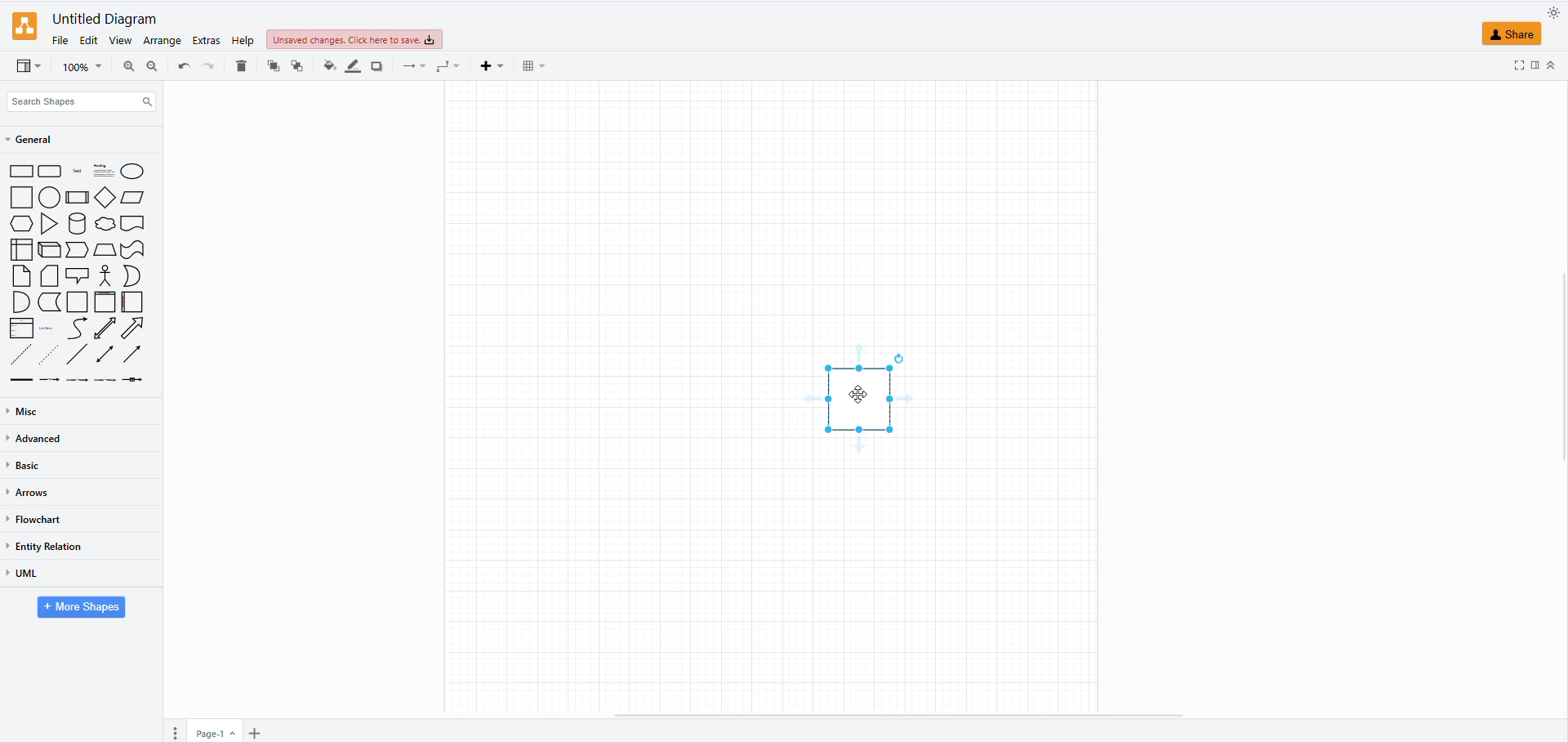  I want to click on connectors, so click(415, 66).